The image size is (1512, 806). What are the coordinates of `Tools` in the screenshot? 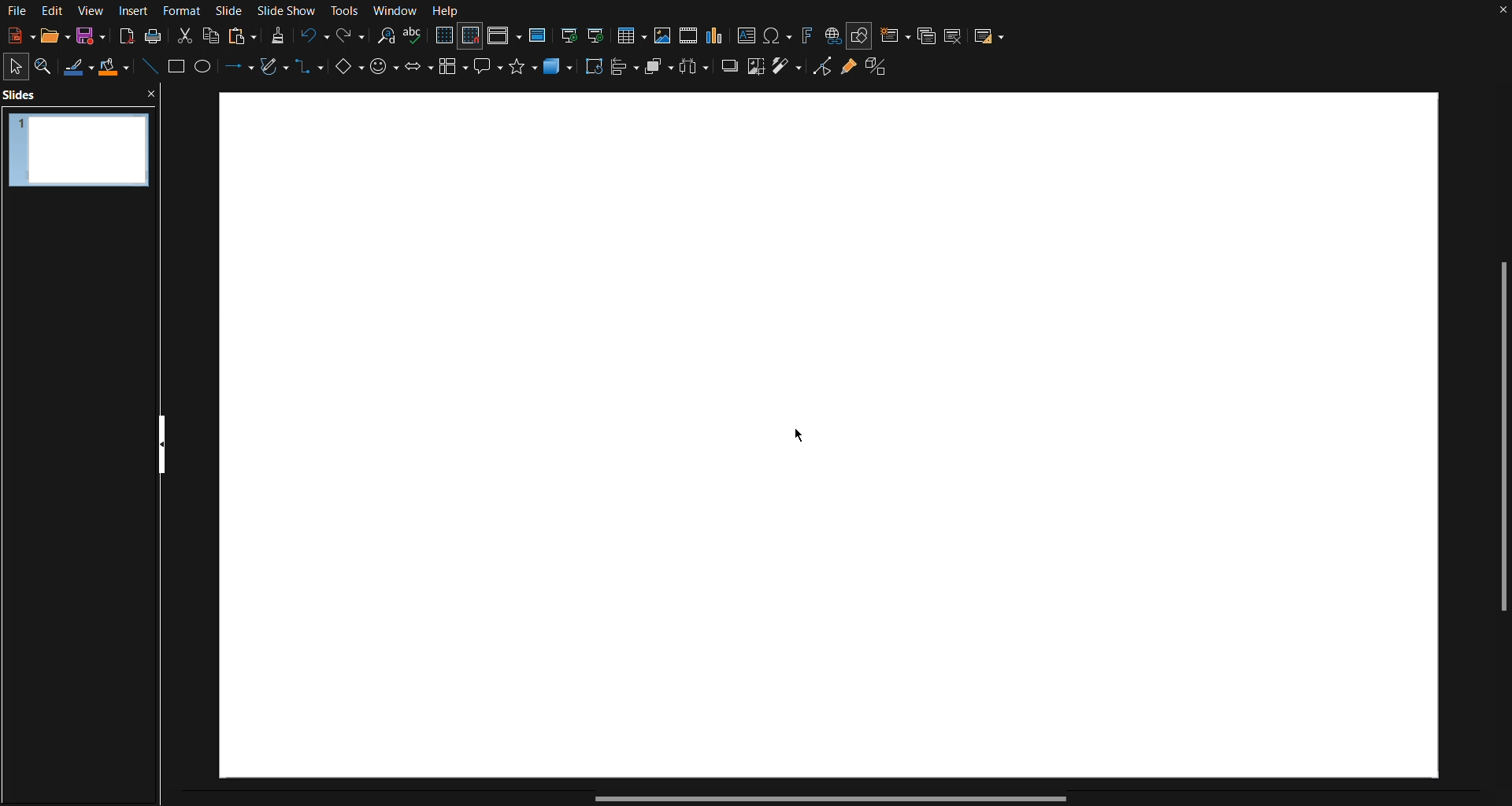 It's located at (346, 11).